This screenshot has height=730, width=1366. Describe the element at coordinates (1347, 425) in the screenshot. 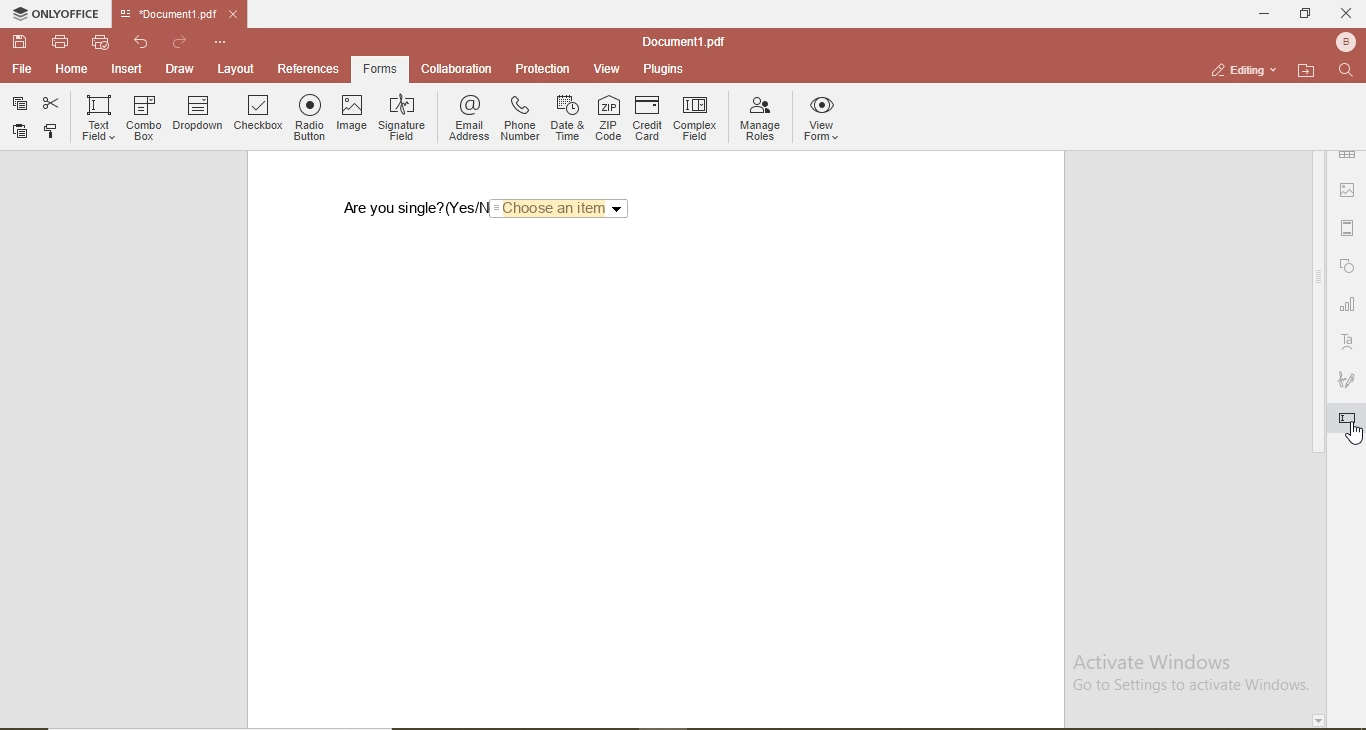

I see `edit` at that location.